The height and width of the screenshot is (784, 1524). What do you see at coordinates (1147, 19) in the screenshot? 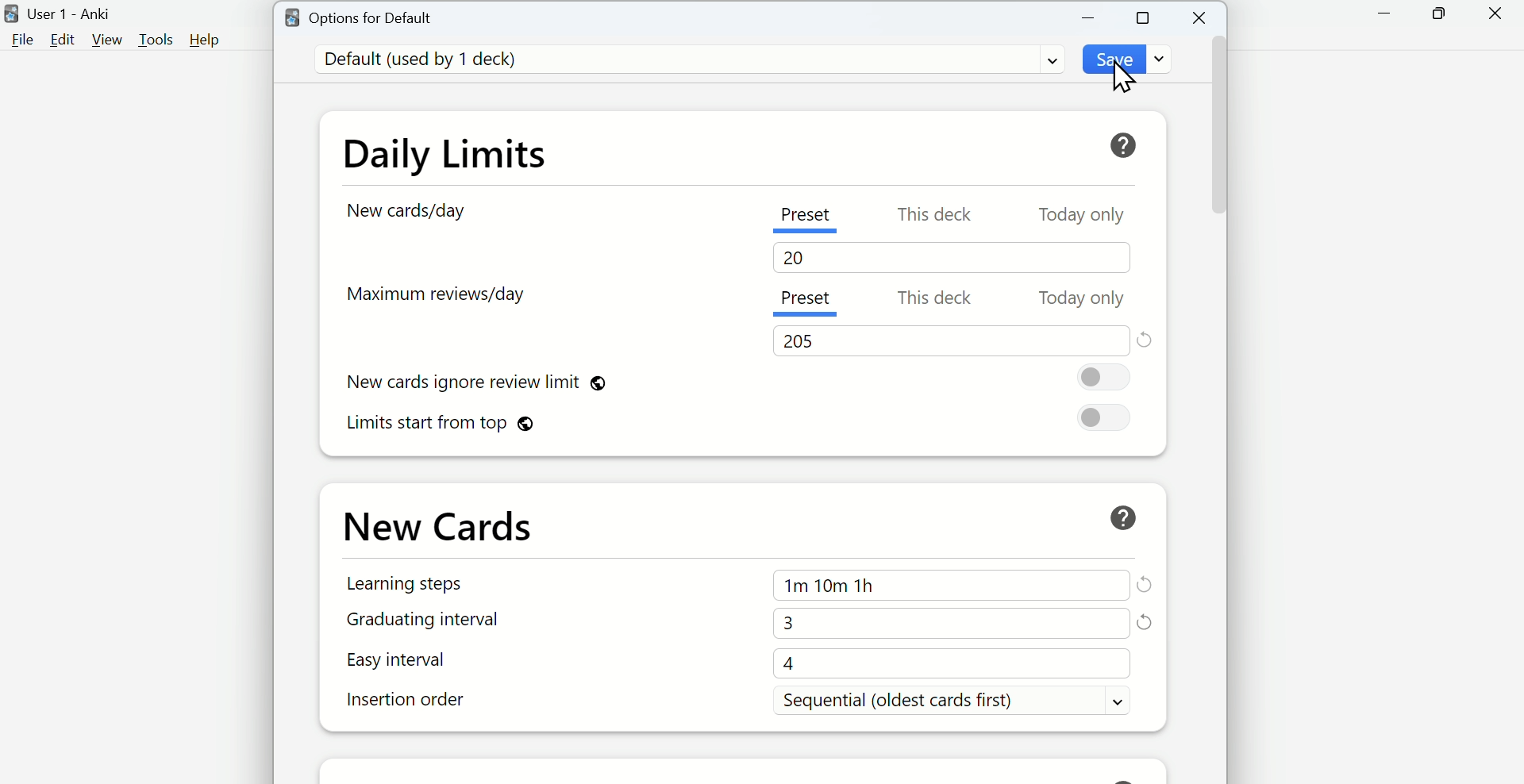
I see `Maximize` at bounding box center [1147, 19].